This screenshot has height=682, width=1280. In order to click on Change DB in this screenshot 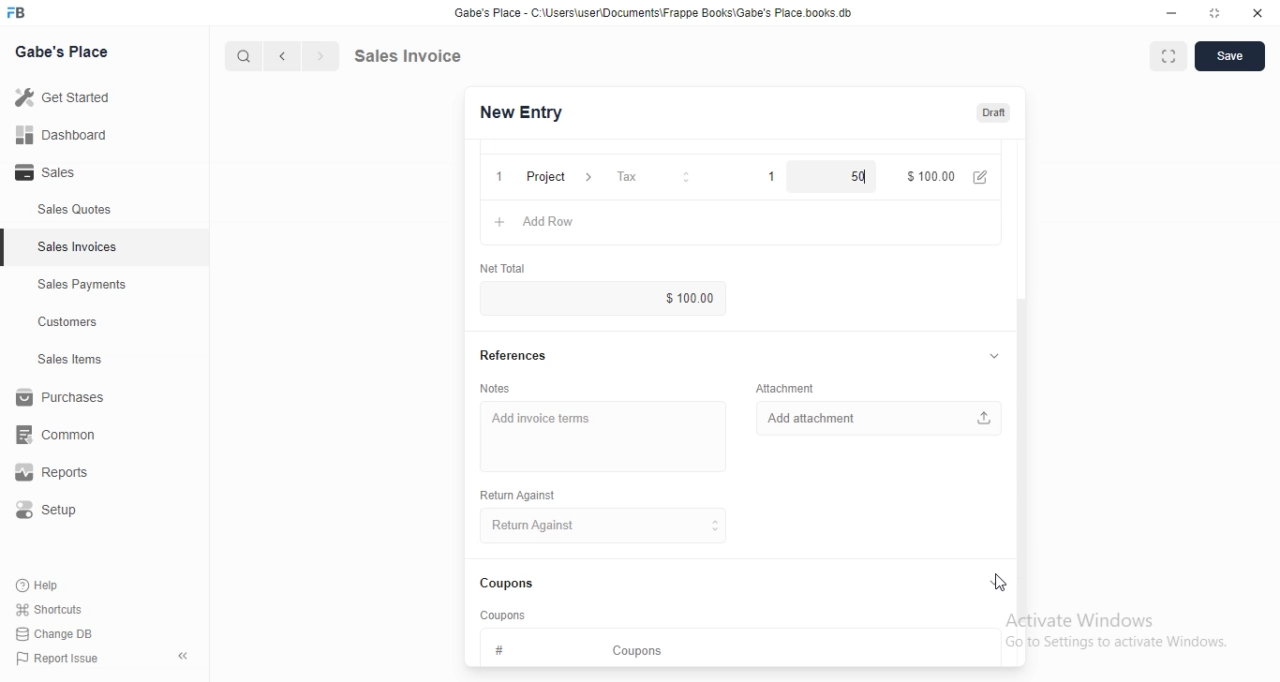, I will do `click(58, 635)`.